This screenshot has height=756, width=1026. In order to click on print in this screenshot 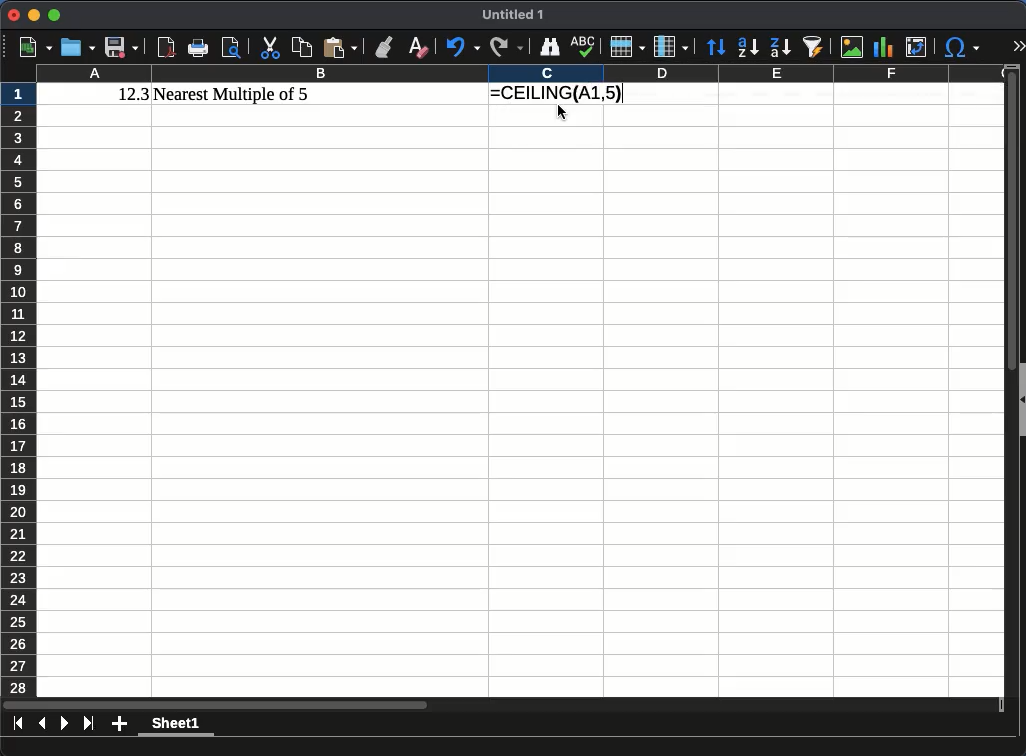, I will do `click(199, 48)`.